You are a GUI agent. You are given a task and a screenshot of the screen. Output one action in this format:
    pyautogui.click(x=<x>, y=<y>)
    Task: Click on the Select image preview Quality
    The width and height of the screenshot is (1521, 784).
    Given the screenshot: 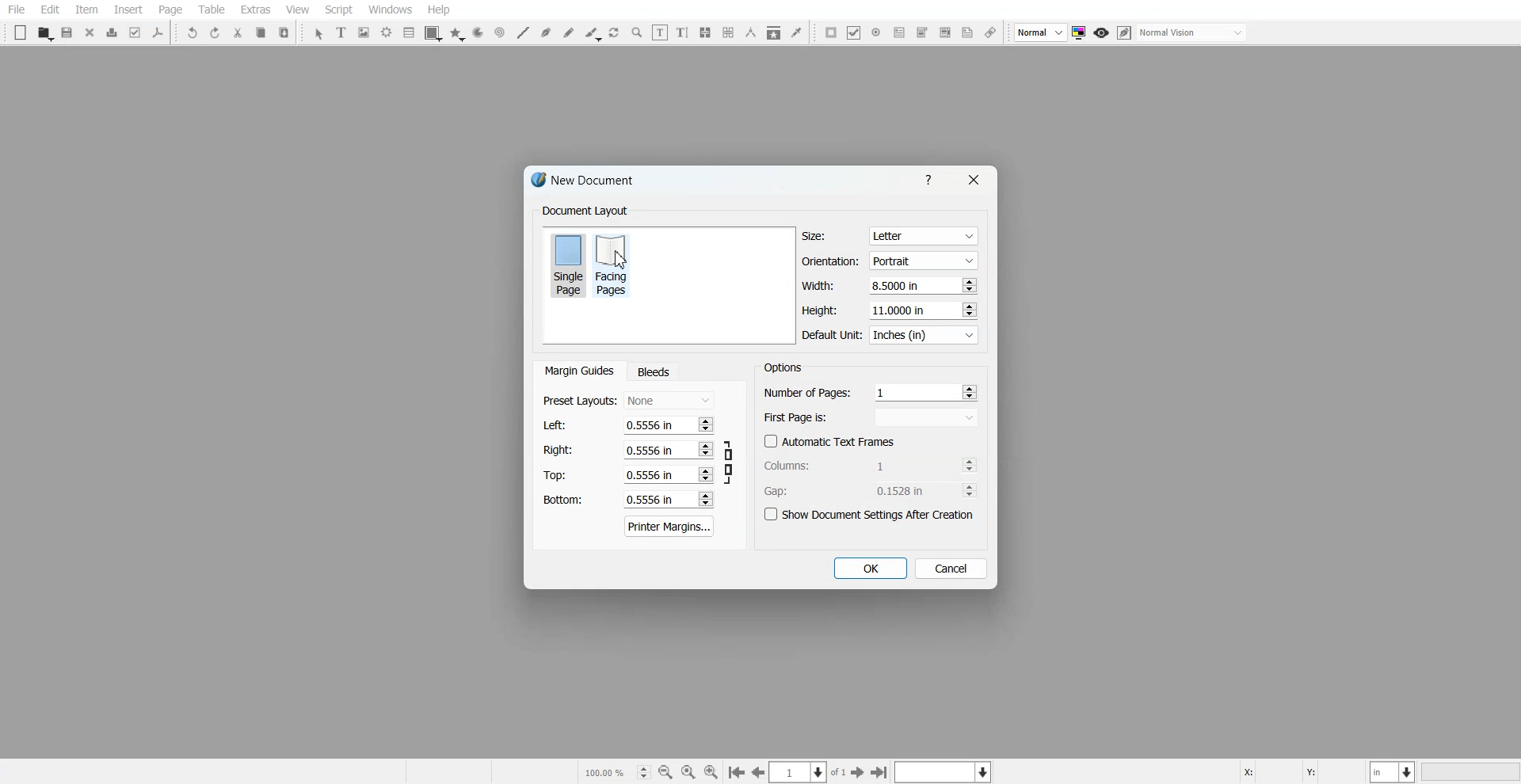 What is the action you would take?
    pyautogui.click(x=1041, y=32)
    